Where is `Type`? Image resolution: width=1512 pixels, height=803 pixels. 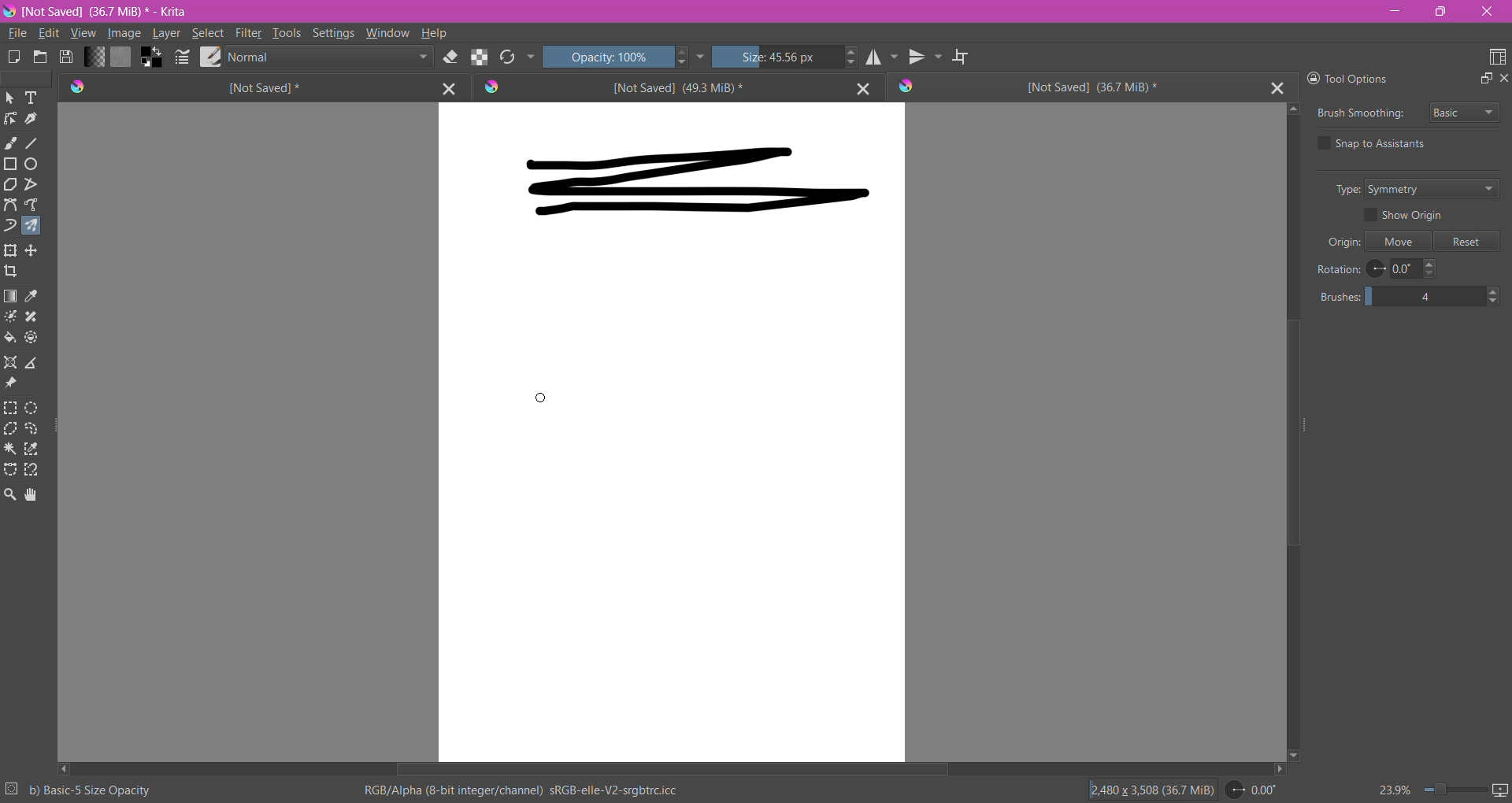 Type is located at coordinates (1343, 189).